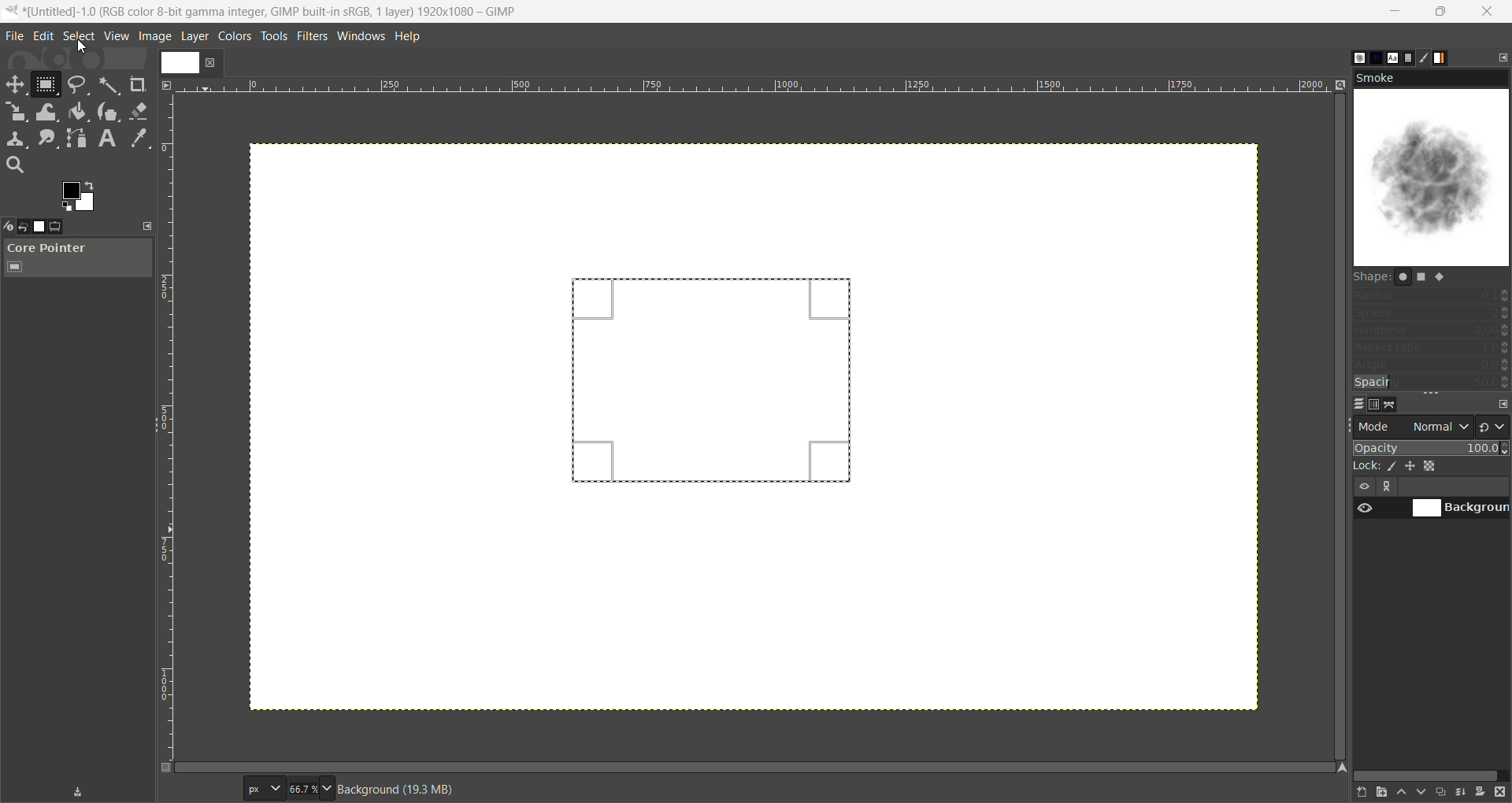 This screenshot has height=803, width=1512. What do you see at coordinates (15, 37) in the screenshot?
I see `file` at bounding box center [15, 37].